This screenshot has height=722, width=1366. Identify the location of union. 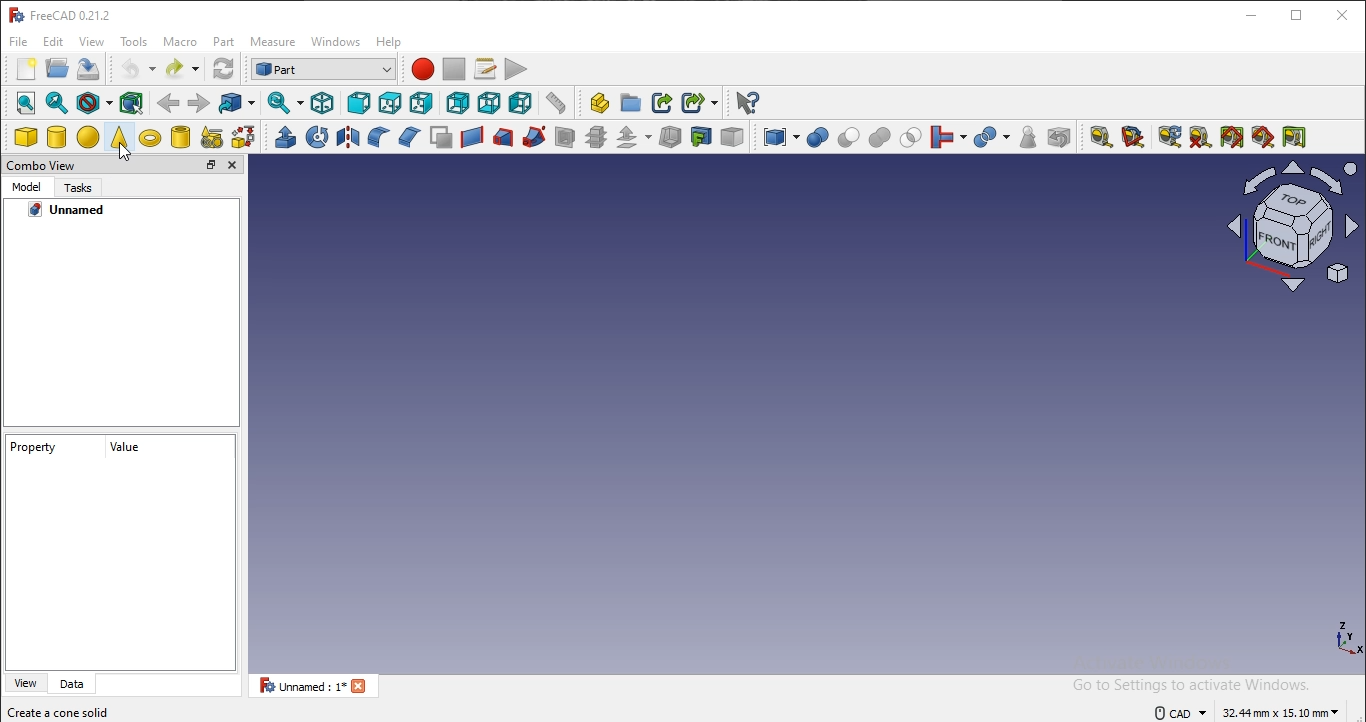
(878, 137).